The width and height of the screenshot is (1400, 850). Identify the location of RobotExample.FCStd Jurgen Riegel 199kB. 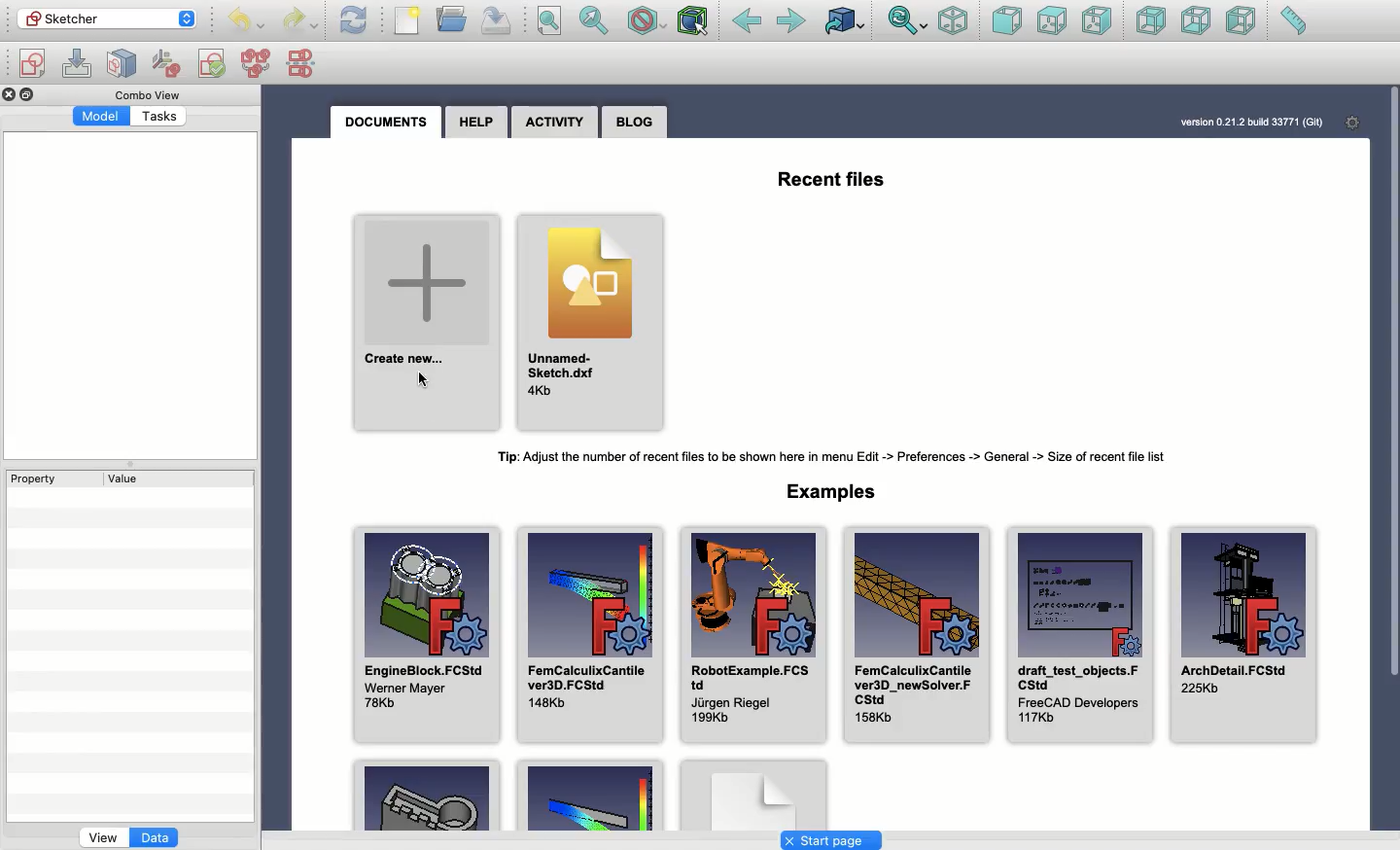
(753, 635).